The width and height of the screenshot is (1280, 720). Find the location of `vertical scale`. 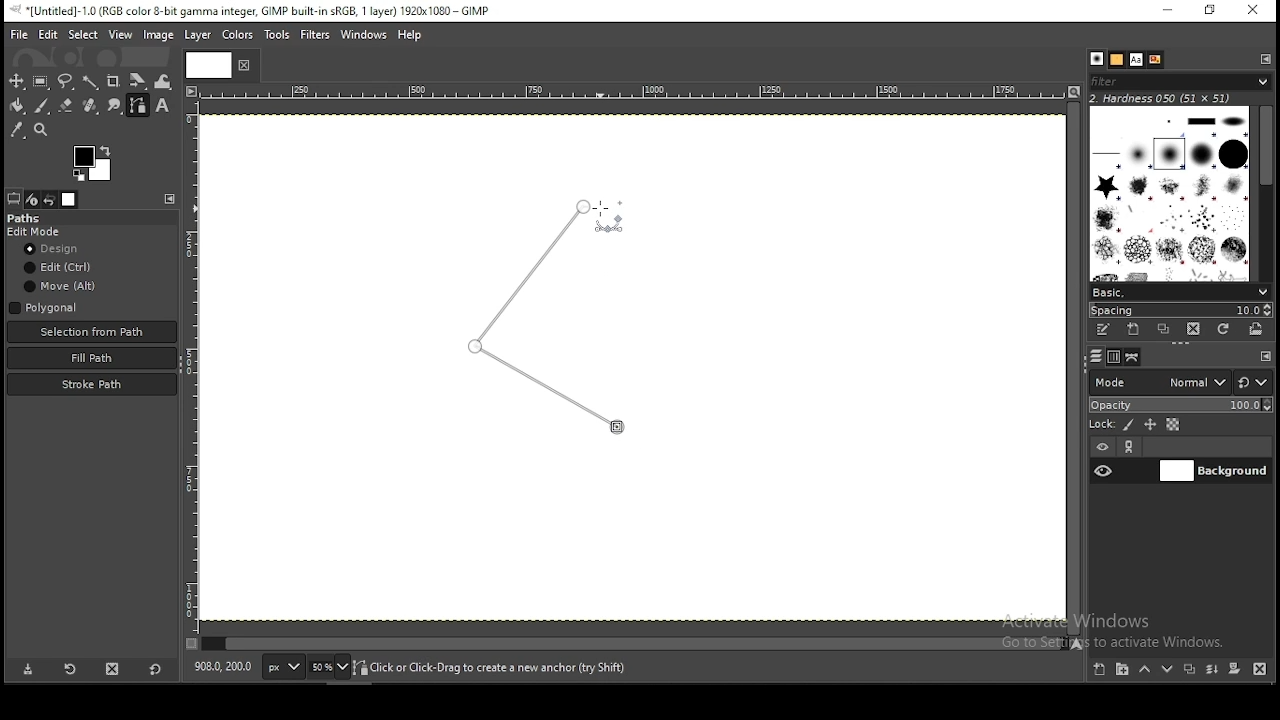

vertical scale is located at coordinates (191, 373).